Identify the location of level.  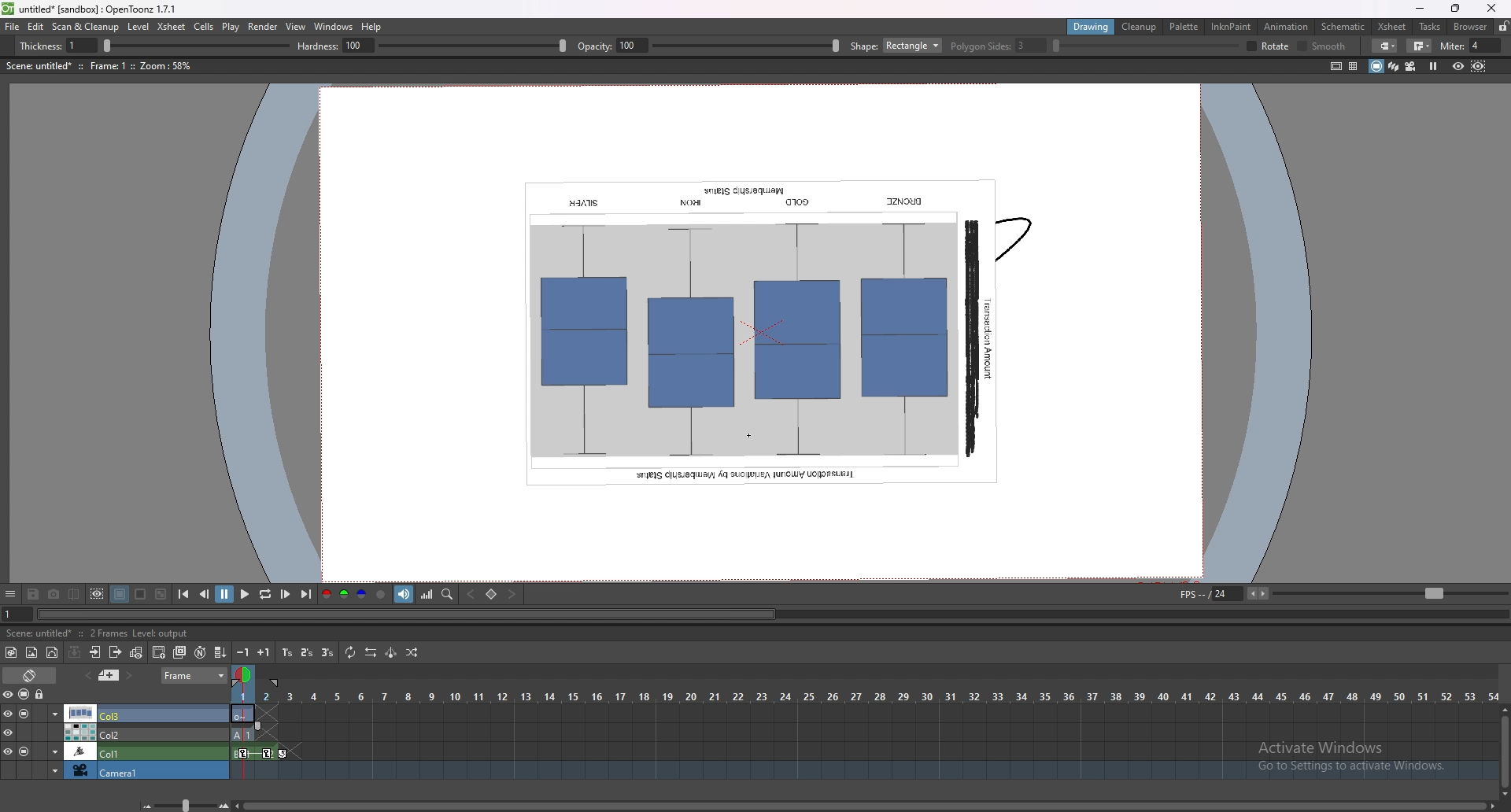
(140, 27).